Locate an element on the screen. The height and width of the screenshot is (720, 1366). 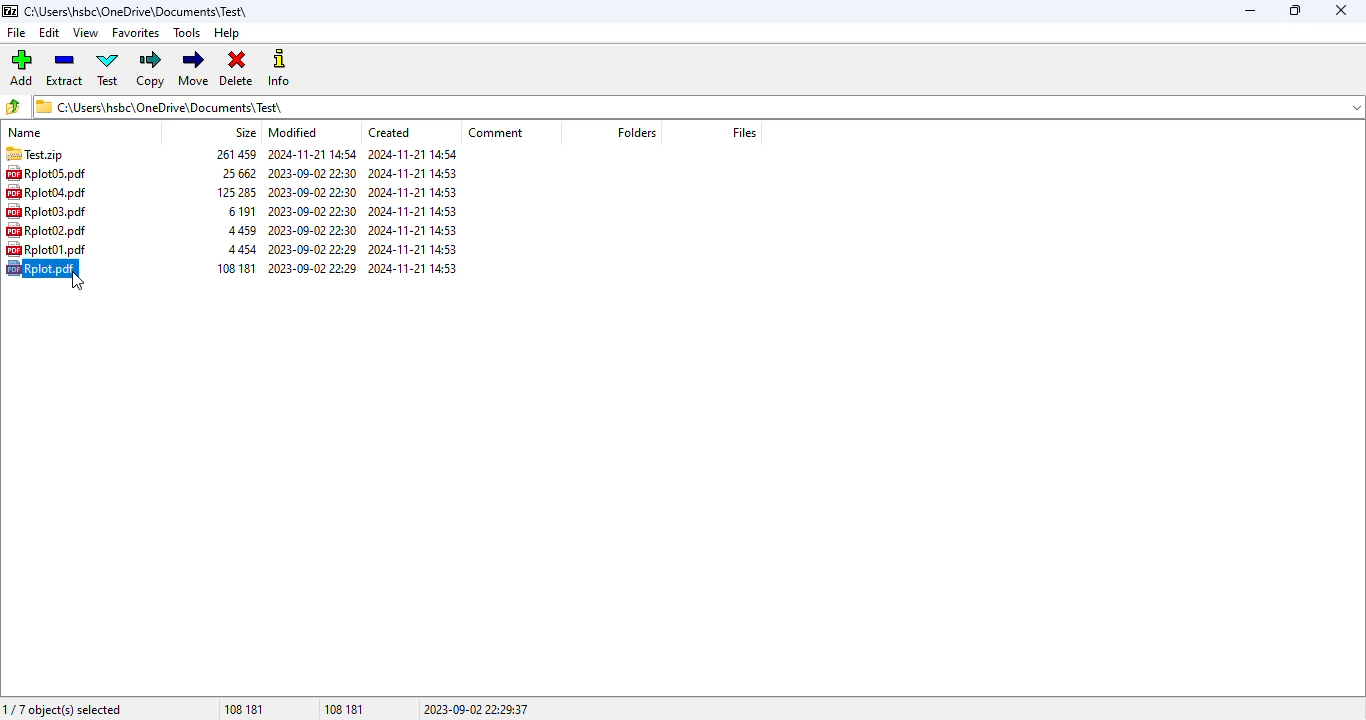
close is located at coordinates (1341, 10).